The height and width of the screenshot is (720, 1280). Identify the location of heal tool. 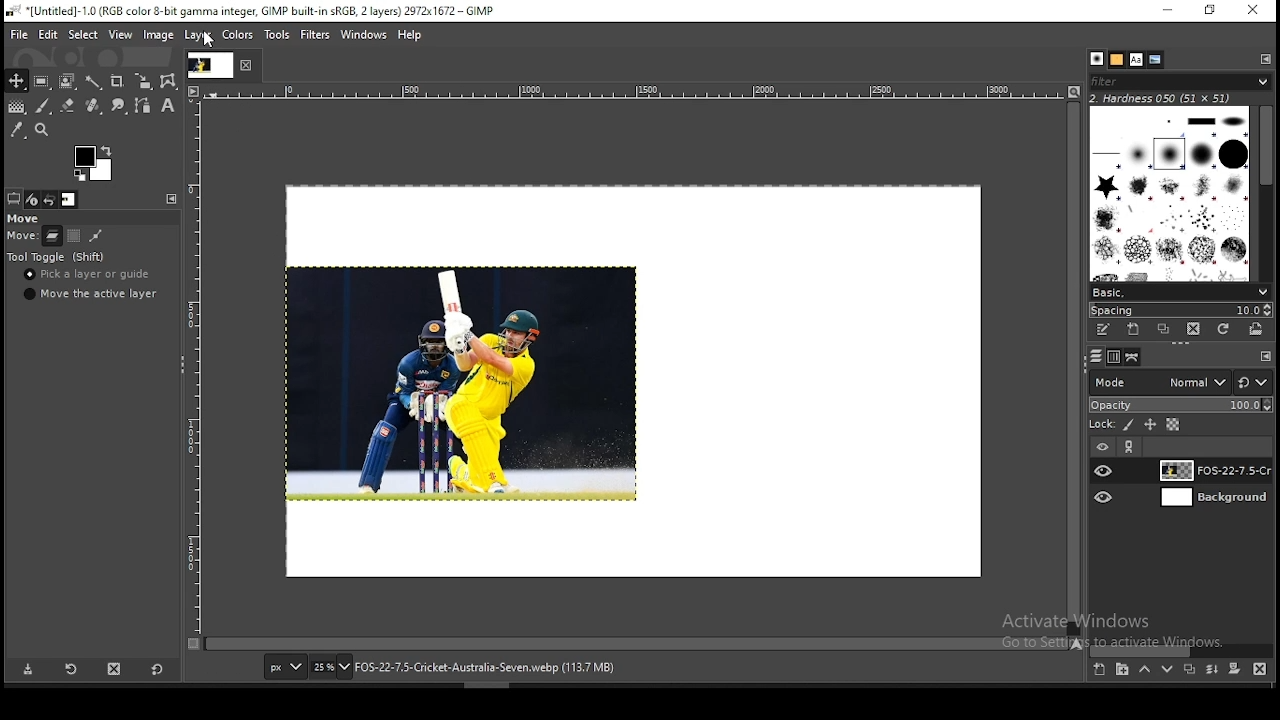
(91, 107).